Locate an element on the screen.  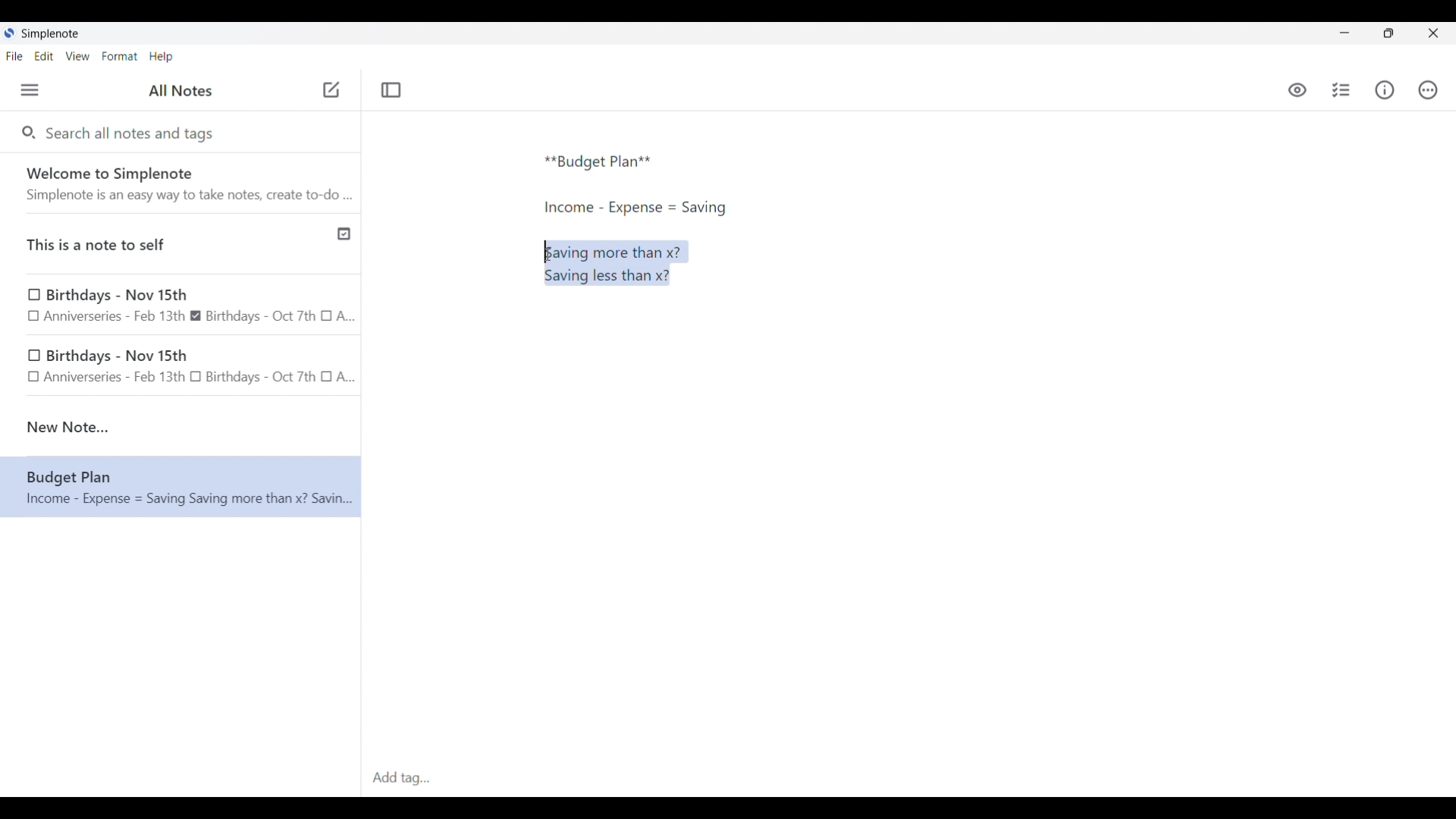
Text highlighted is located at coordinates (623, 262).